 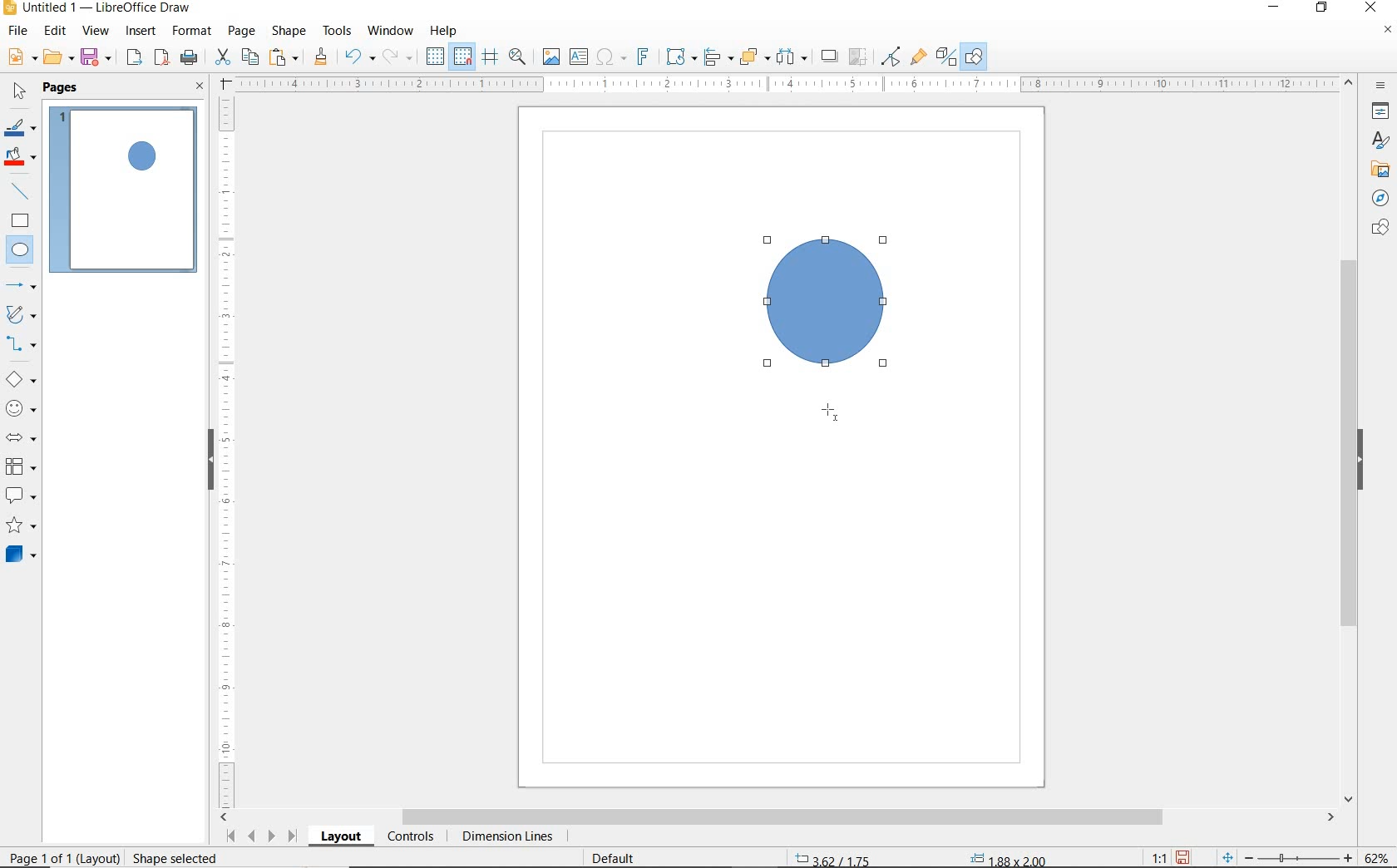 I want to click on SIDEBAR SETTINGS, so click(x=1381, y=86).